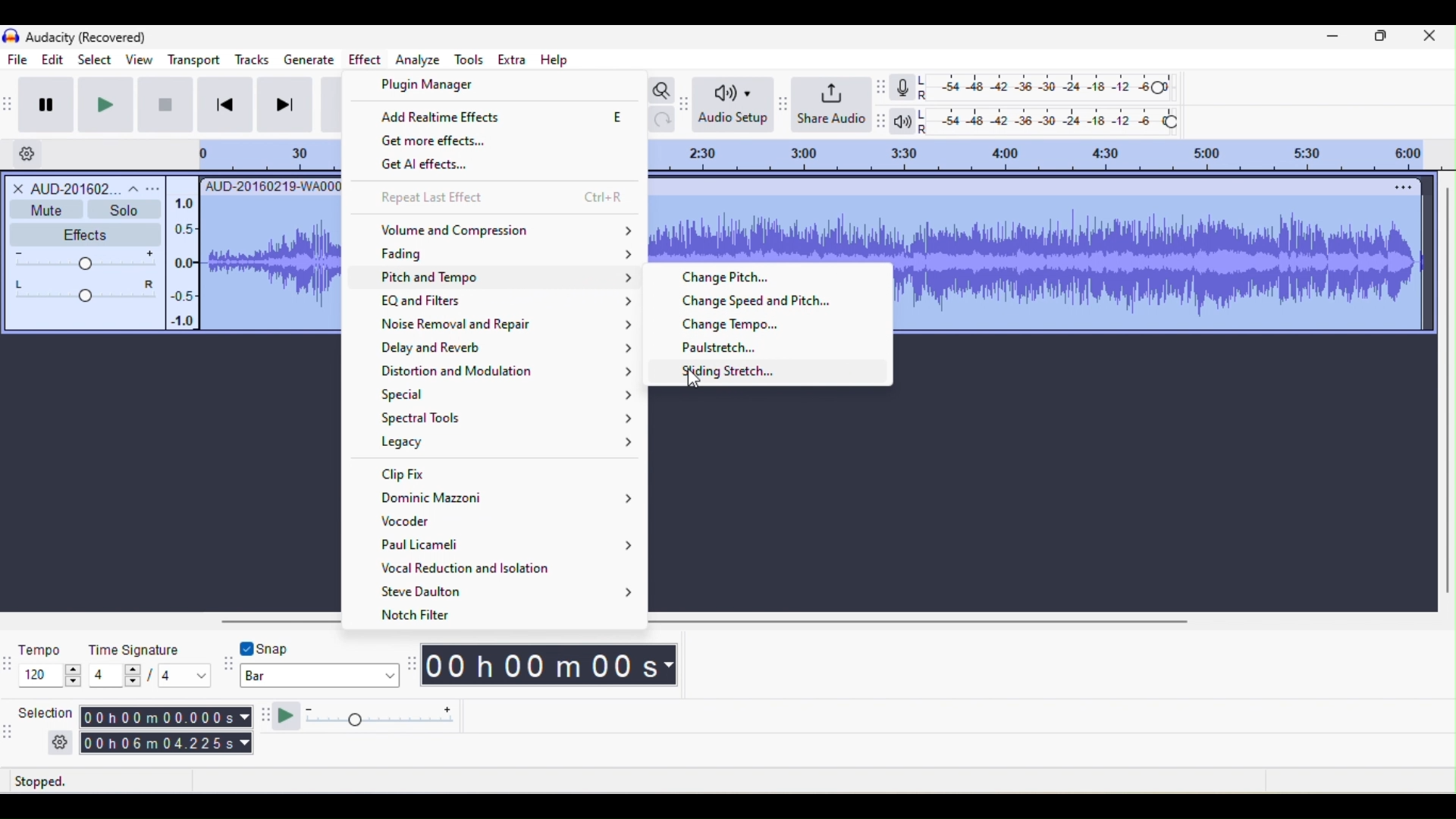 The image size is (1456, 819). Describe the element at coordinates (93, 58) in the screenshot. I see `select` at that location.